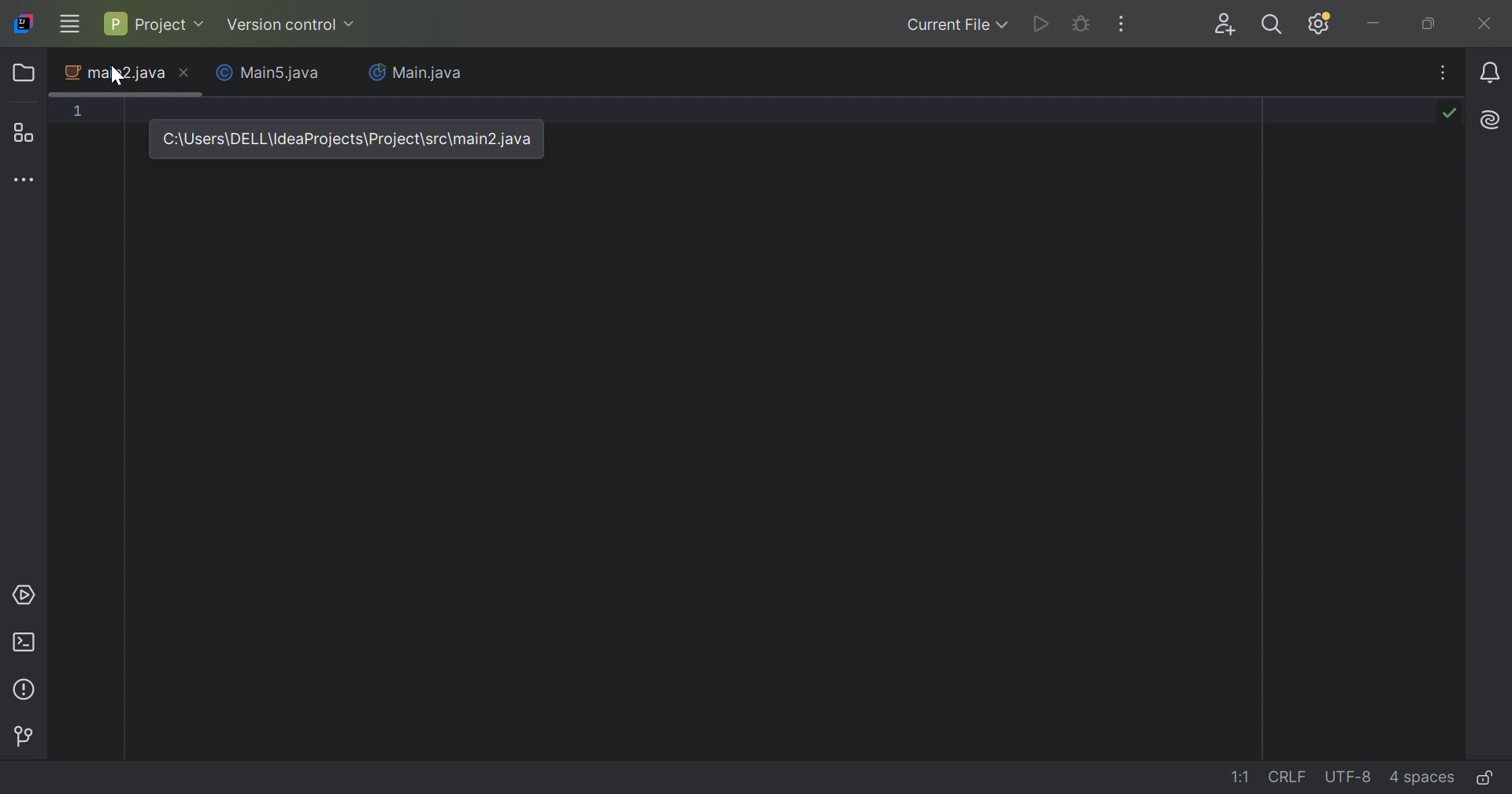 The image size is (1512, 794). I want to click on More tool windows, so click(26, 178).